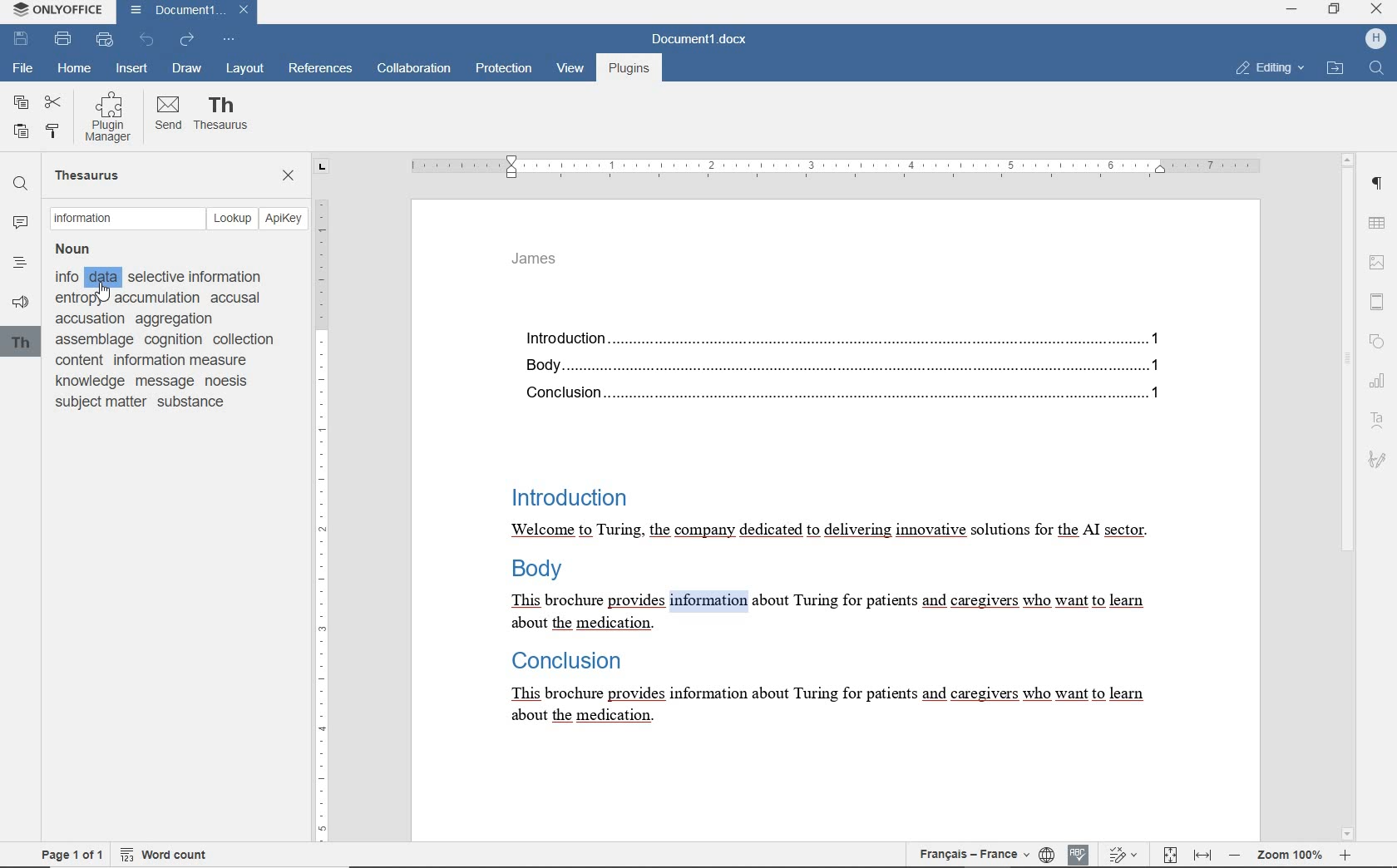  What do you see at coordinates (323, 501) in the screenshot?
I see `RULER` at bounding box center [323, 501].